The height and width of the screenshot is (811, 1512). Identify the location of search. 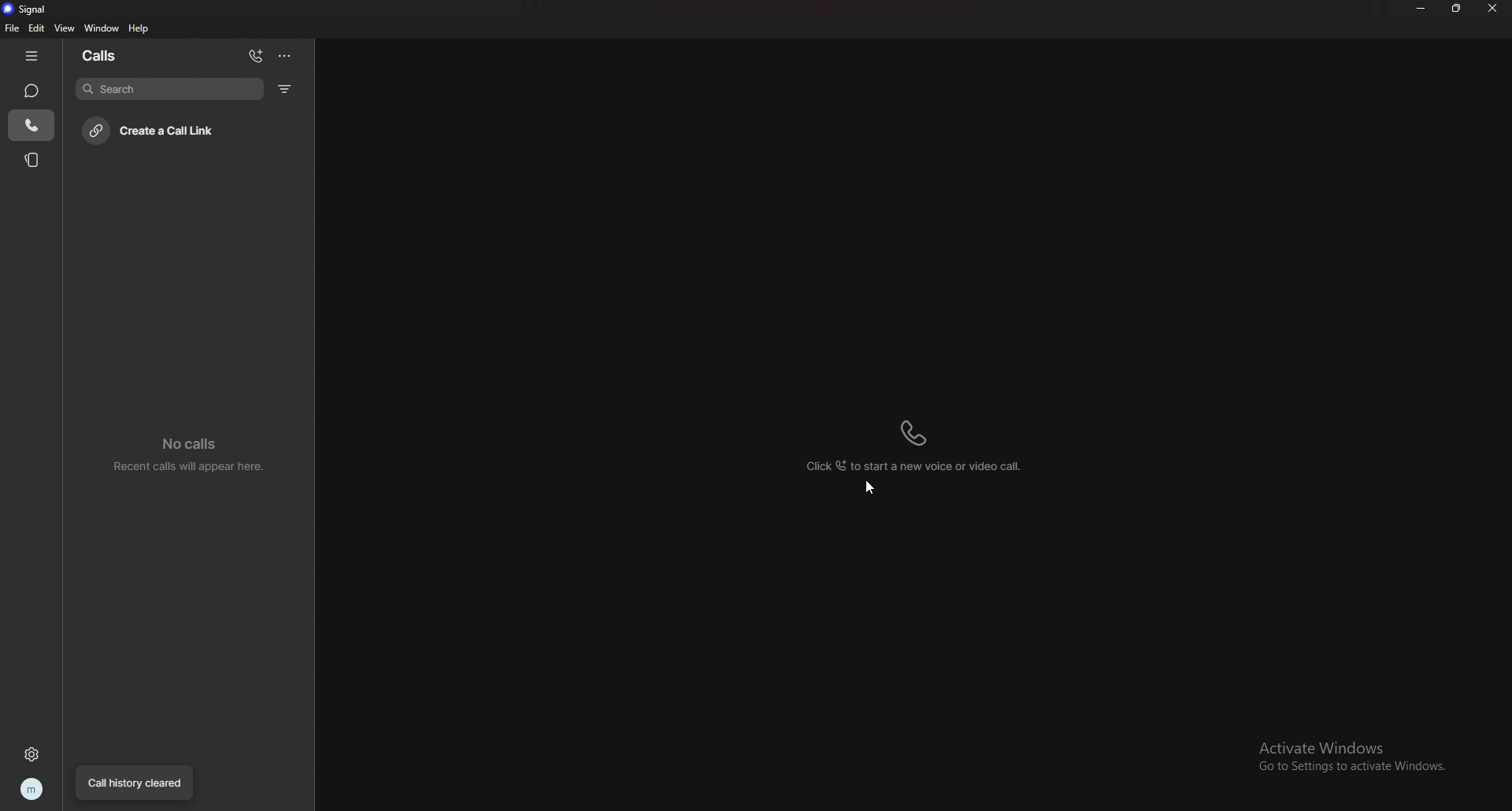
(165, 90).